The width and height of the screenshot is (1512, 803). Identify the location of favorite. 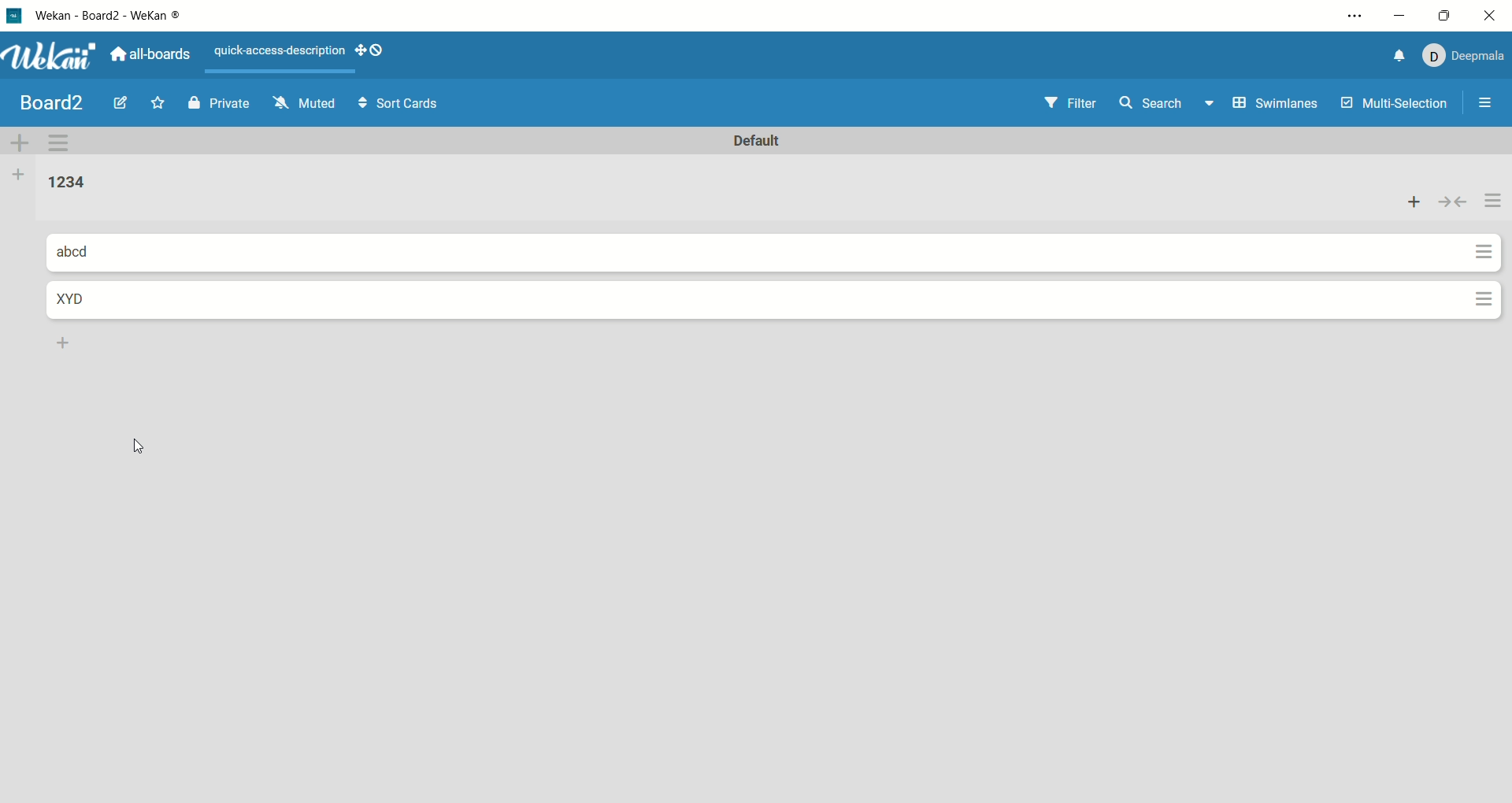
(162, 102).